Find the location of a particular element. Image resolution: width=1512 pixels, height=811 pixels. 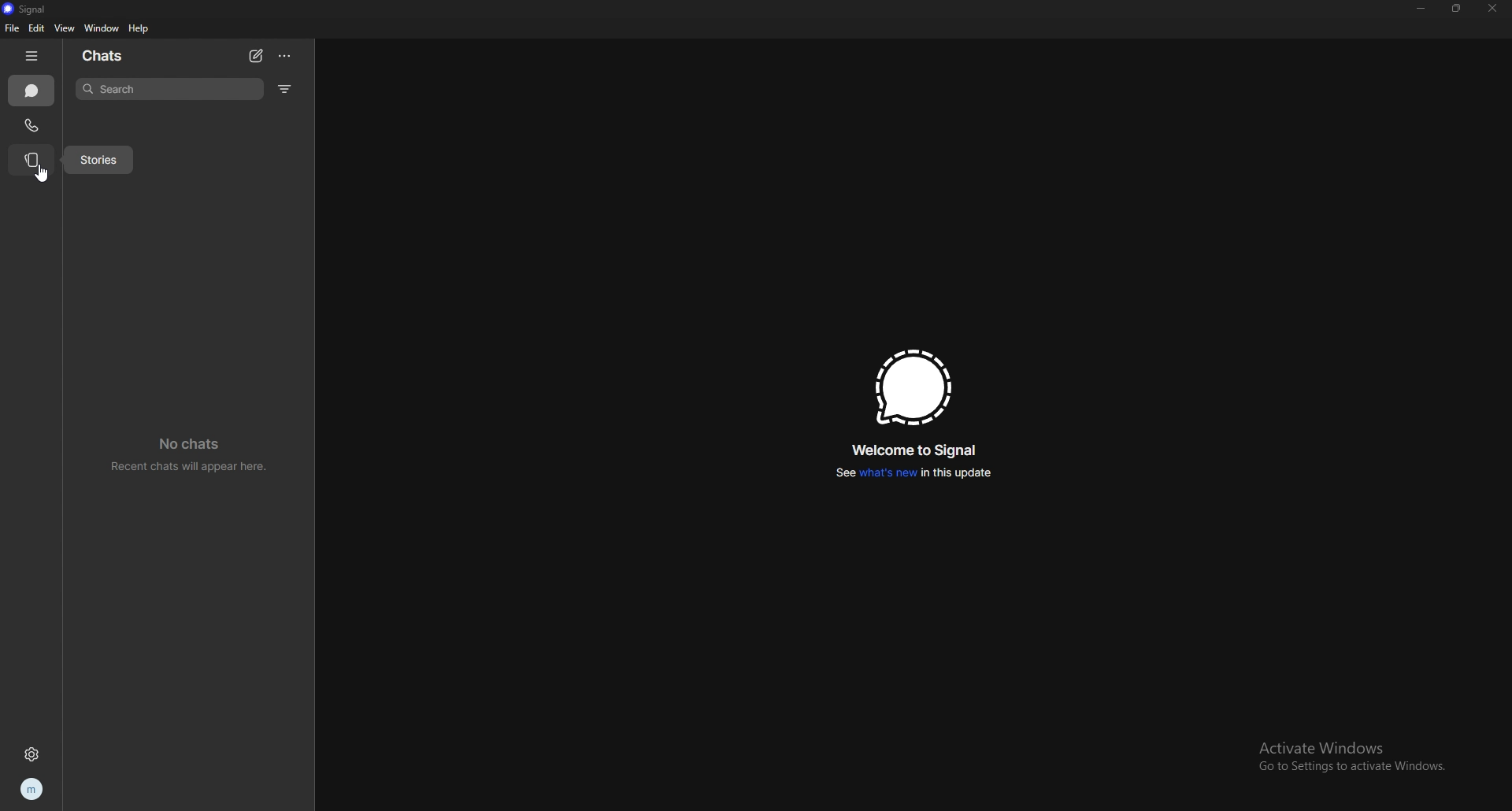

chats is located at coordinates (32, 91).